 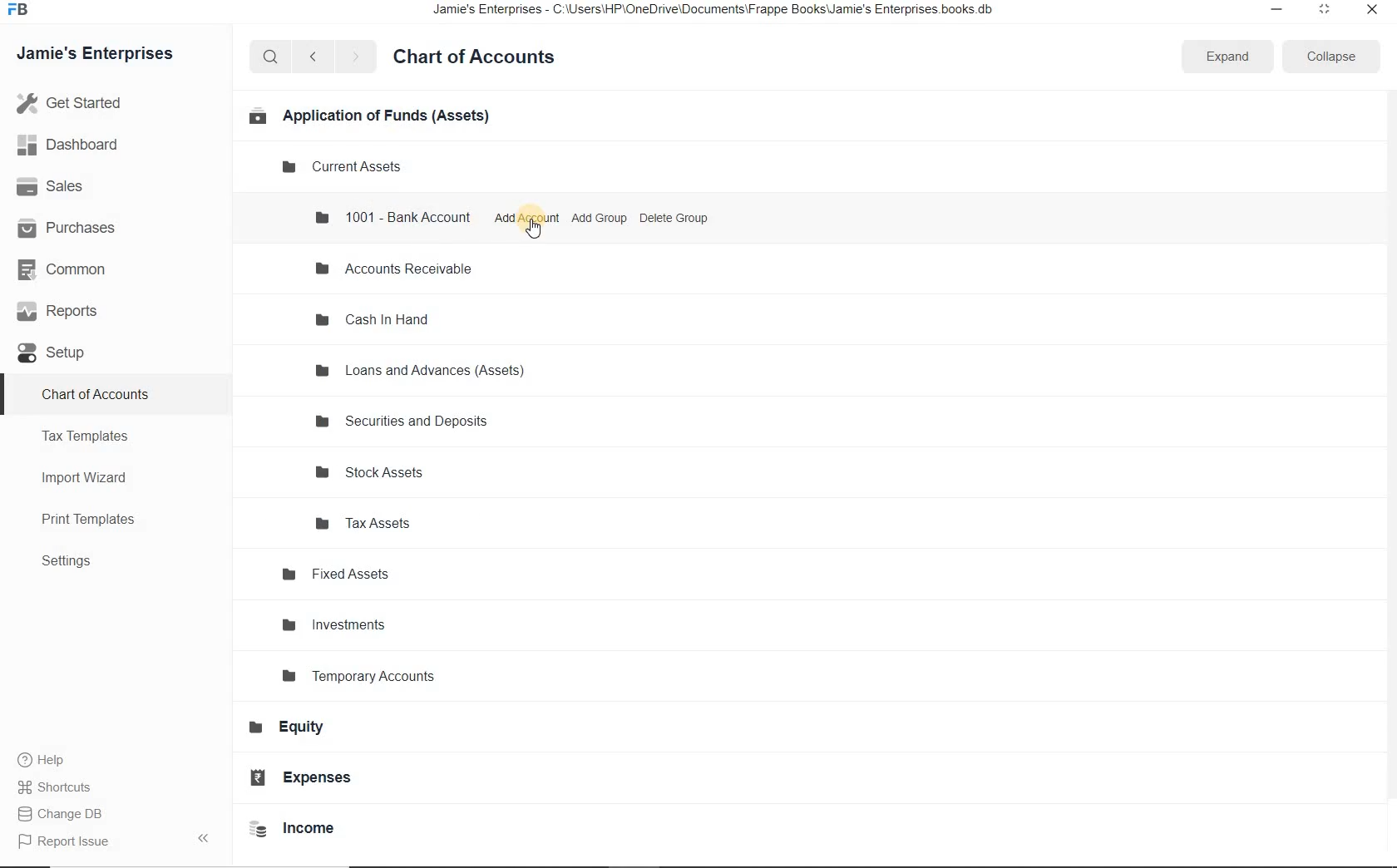 I want to click on Temporary Accounts, so click(x=368, y=677).